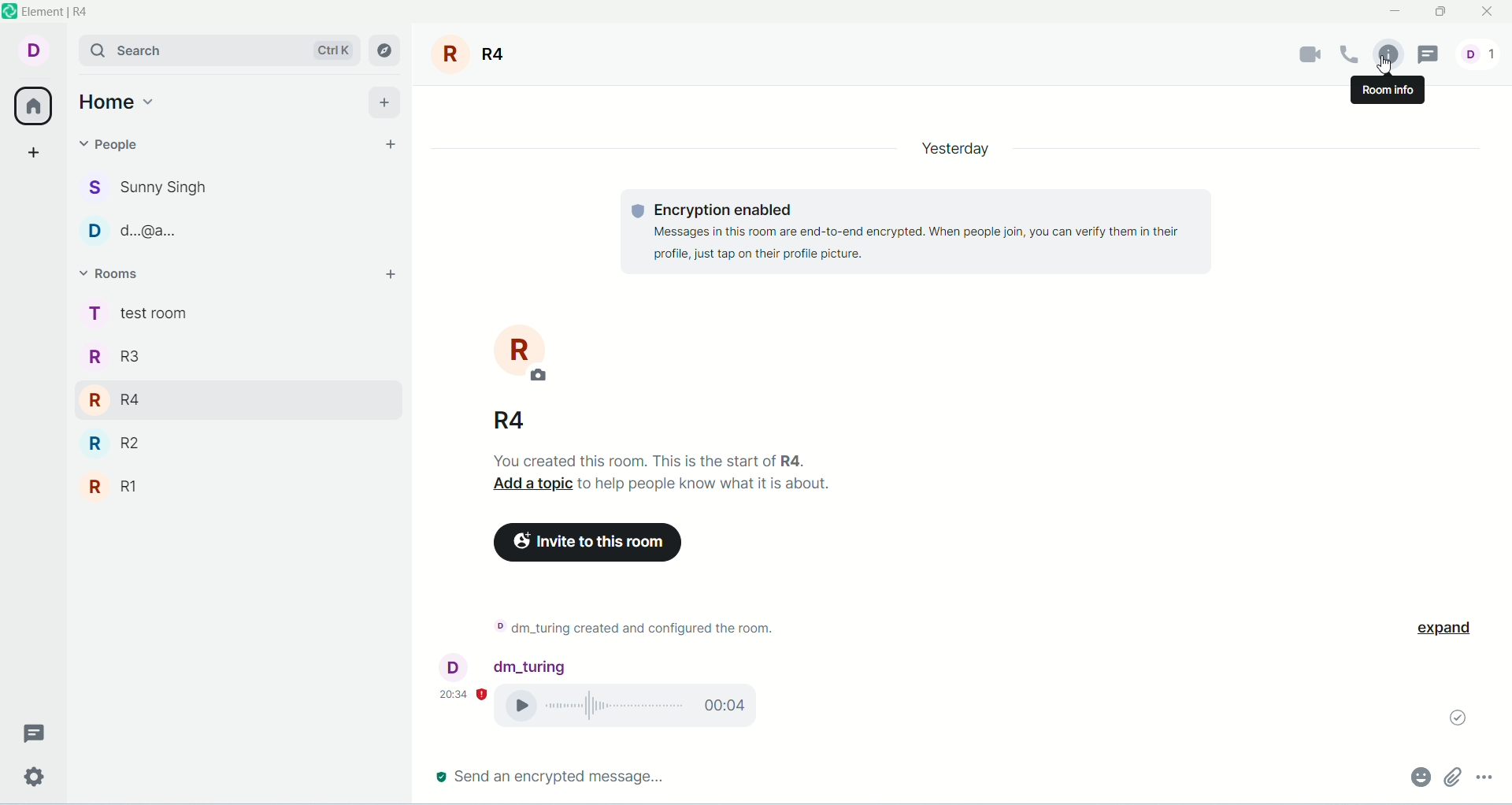 This screenshot has width=1512, height=805. Describe the element at coordinates (119, 98) in the screenshot. I see `home` at that location.